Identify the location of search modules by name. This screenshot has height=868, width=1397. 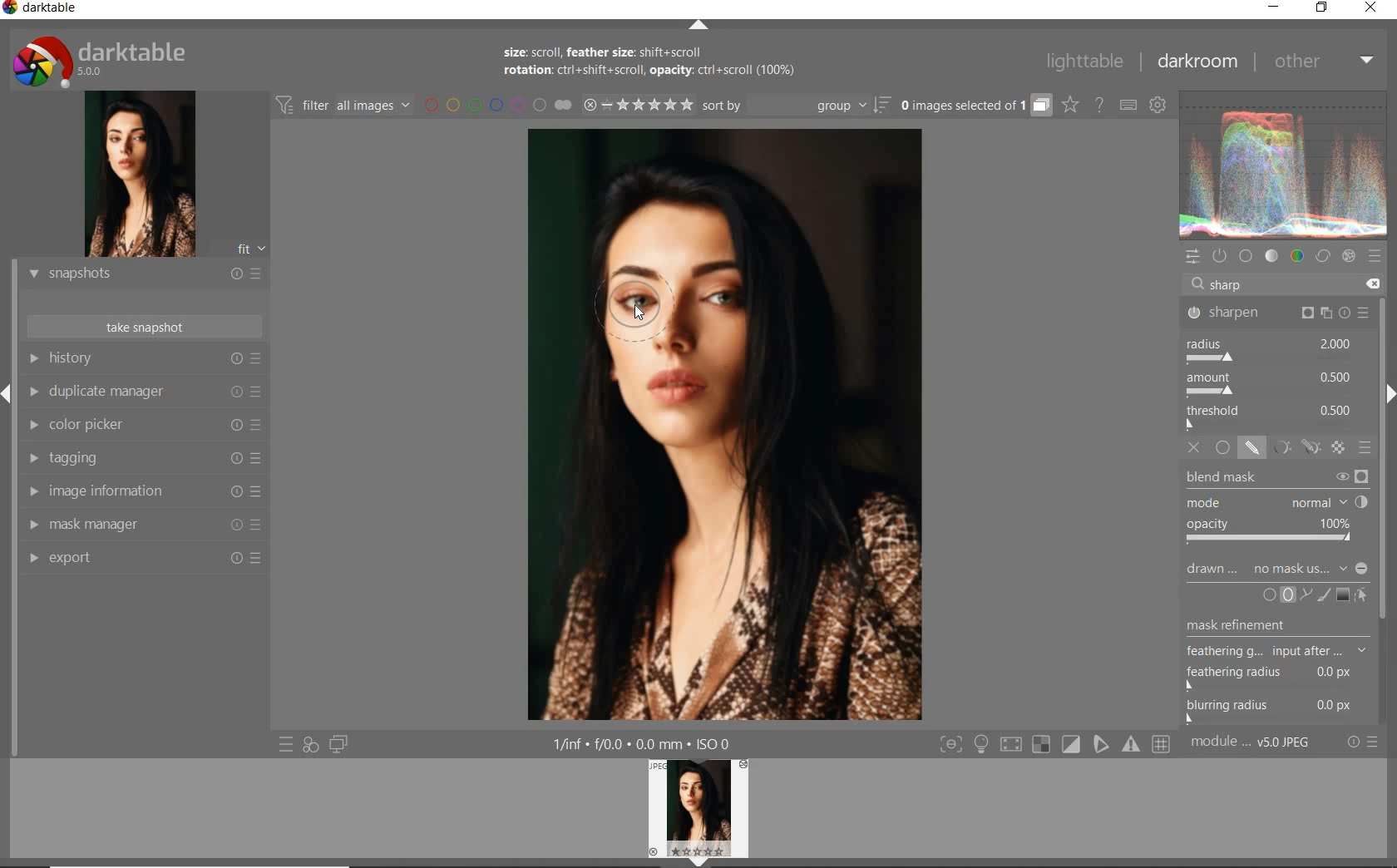
(1279, 284).